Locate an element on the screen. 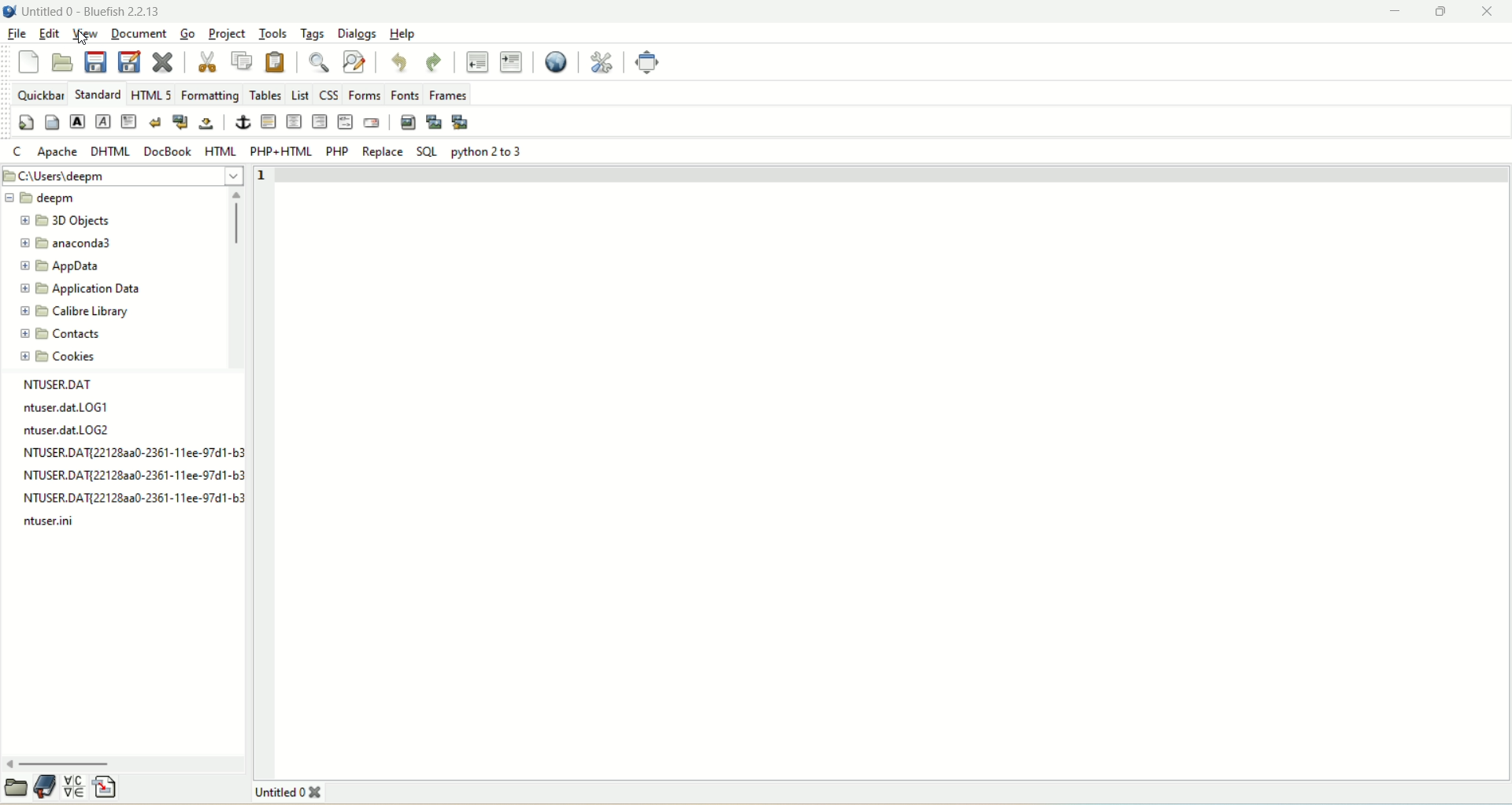 The image size is (1512, 805). preview in browser is located at coordinates (550, 63).